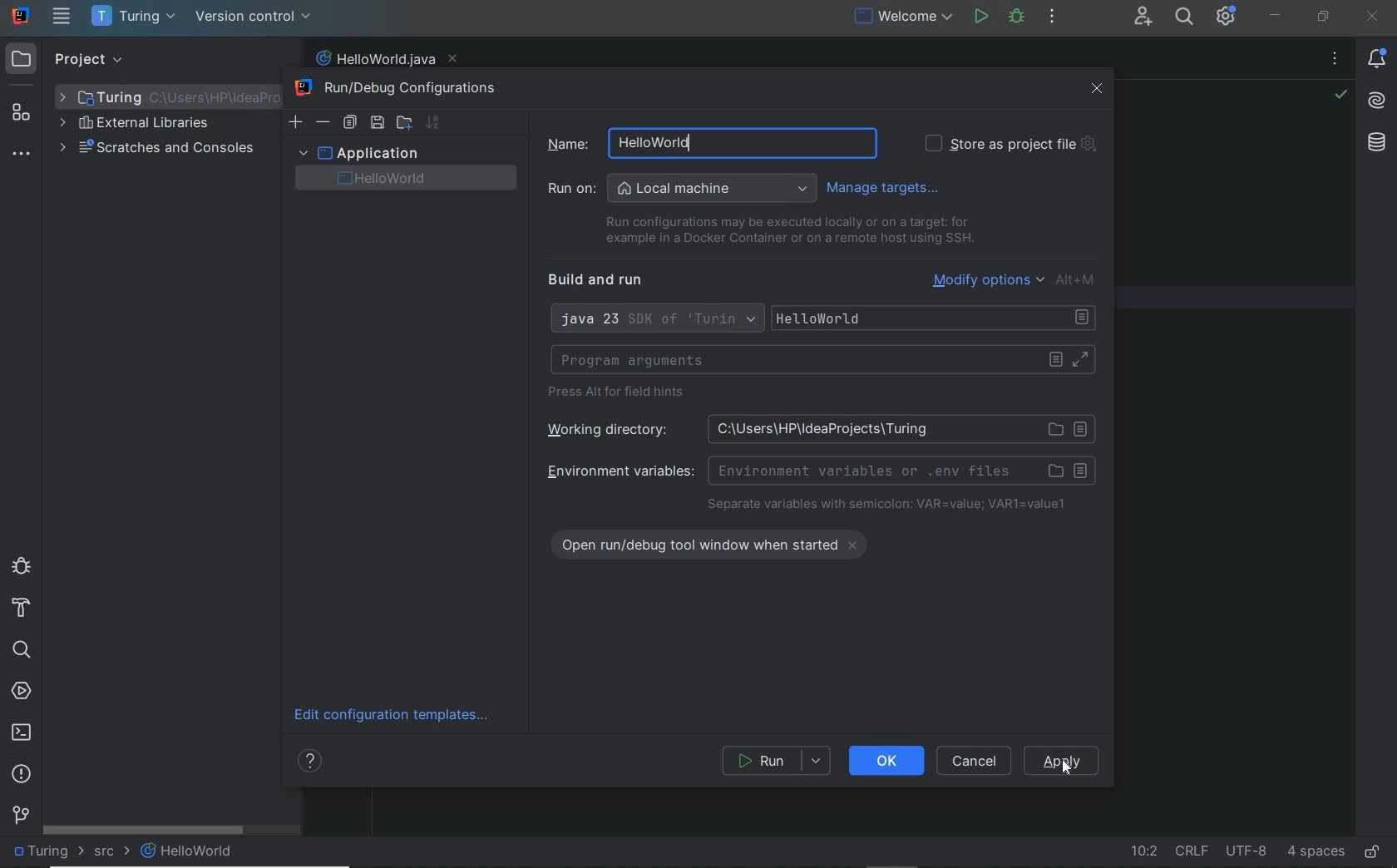 The image size is (1397, 868). I want to click on file name, so click(385, 59).